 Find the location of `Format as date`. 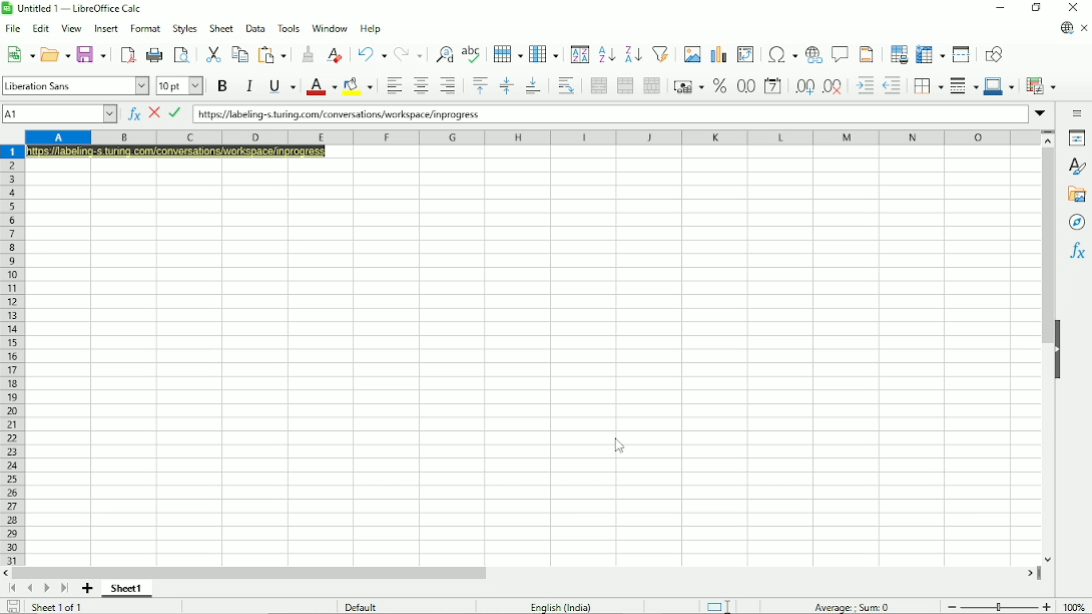

Format as date is located at coordinates (773, 87).